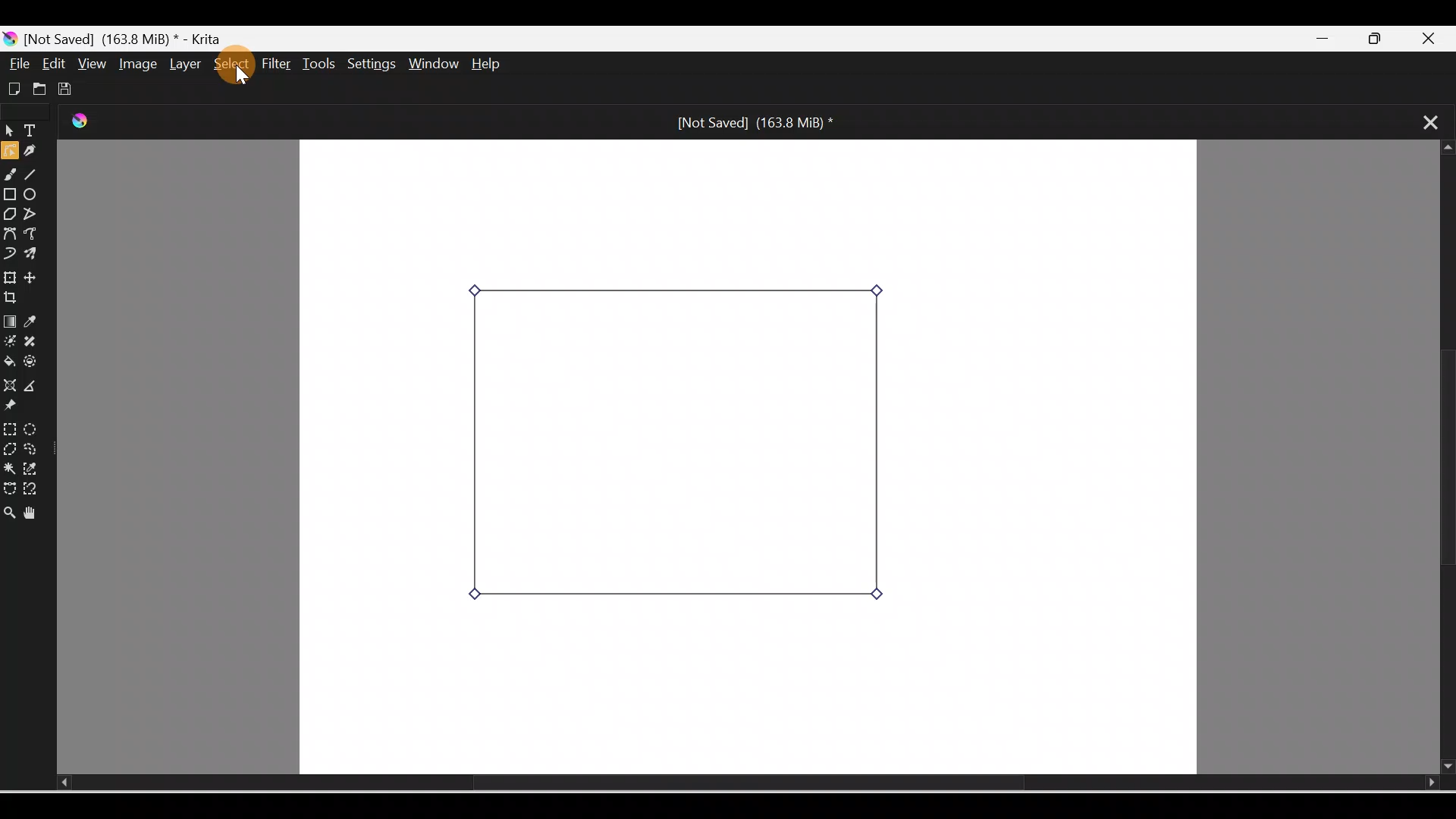 The image size is (1456, 819). Describe the element at coordinates (373, 65) in the screenshot. I see `Settings` at that location.